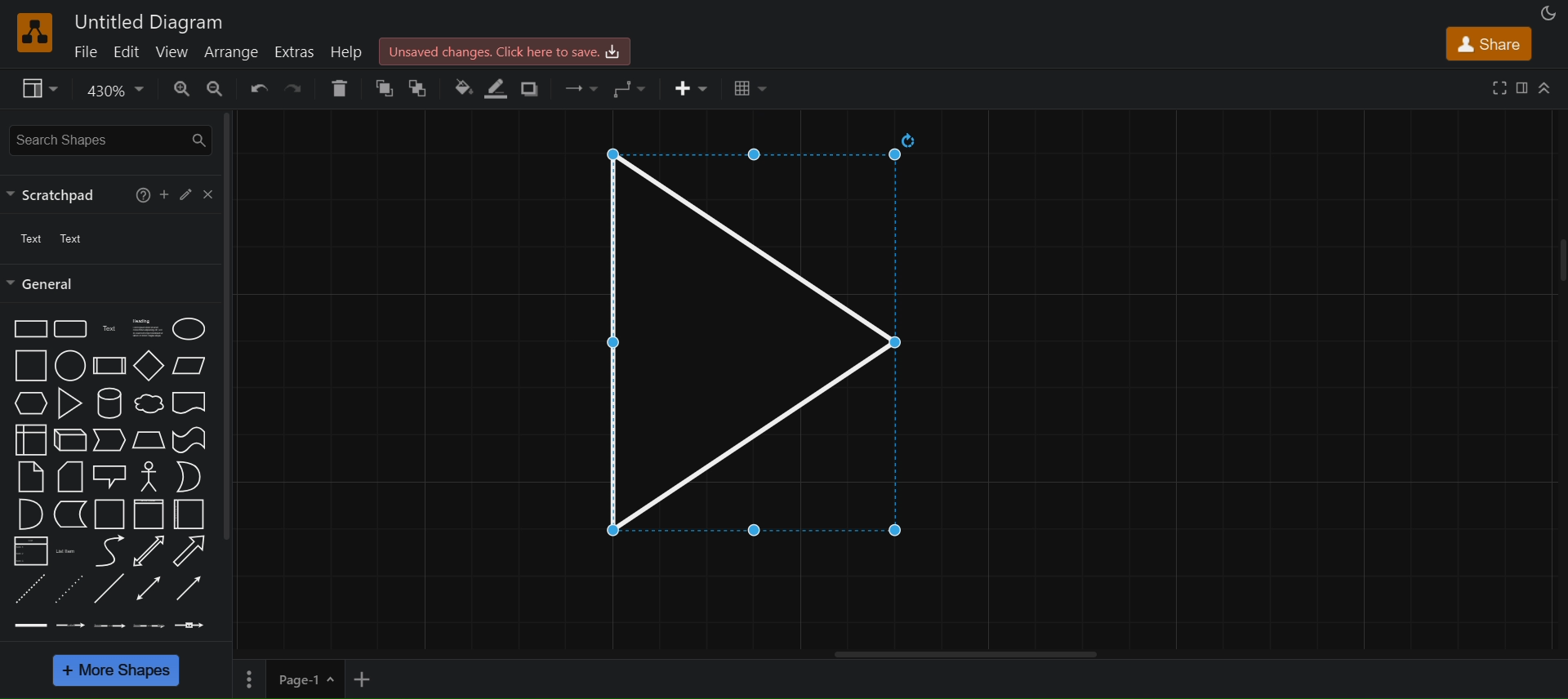 The height and width of the screenshot is (699, 1568). I want to click on More shapes, so click(115, 670).